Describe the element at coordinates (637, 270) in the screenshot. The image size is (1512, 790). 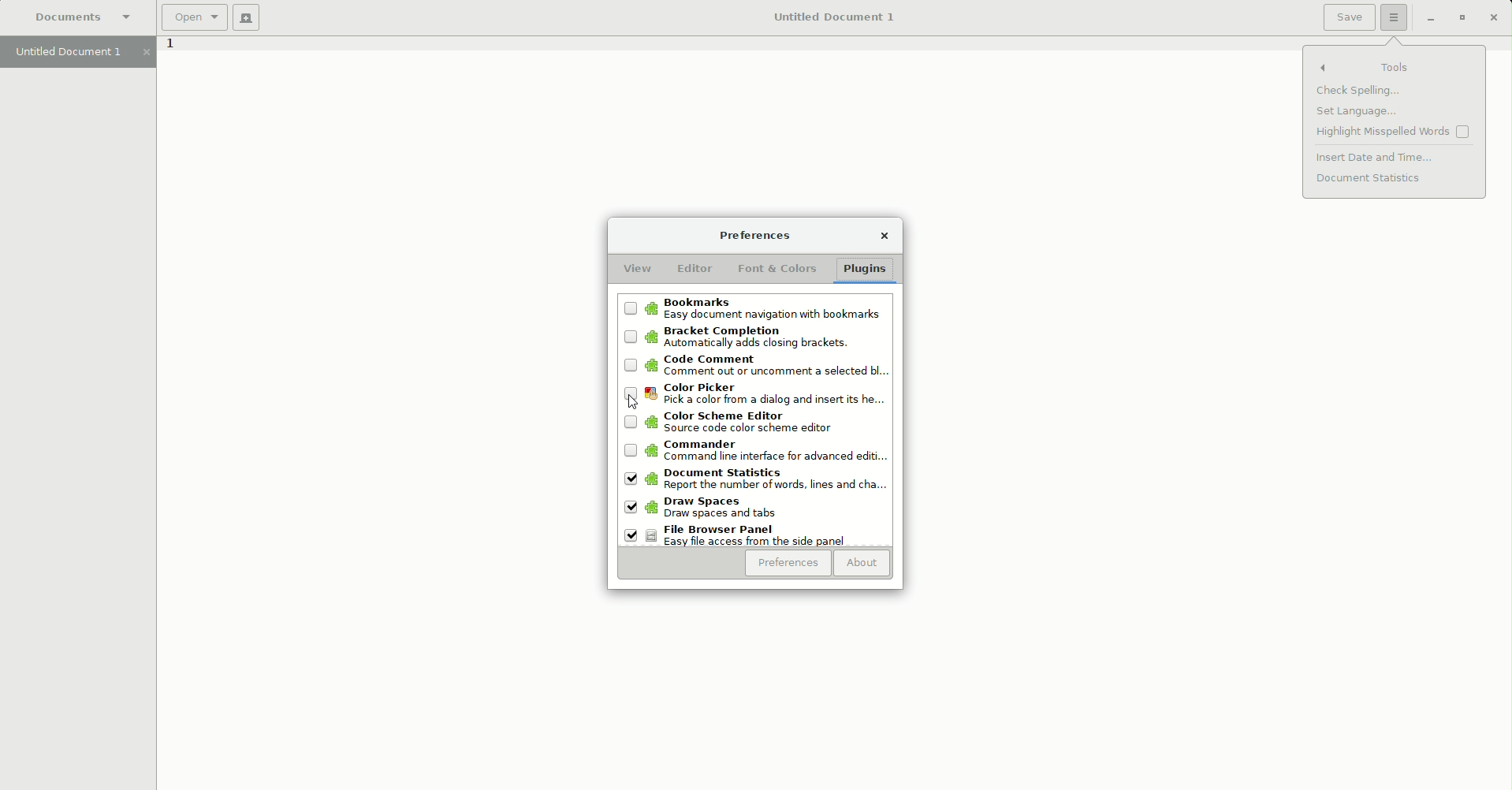
I see `View` at that location.